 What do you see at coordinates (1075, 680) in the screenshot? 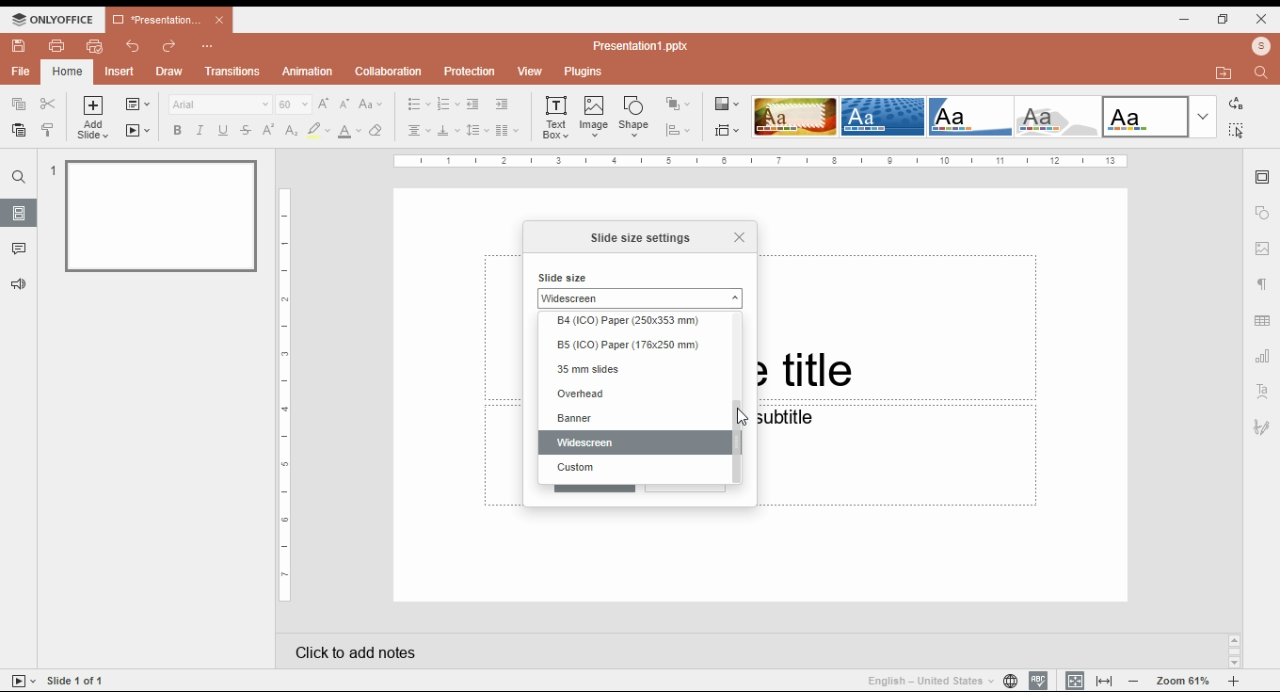
I see `fit to slide` at bounding box center [1075, 680].